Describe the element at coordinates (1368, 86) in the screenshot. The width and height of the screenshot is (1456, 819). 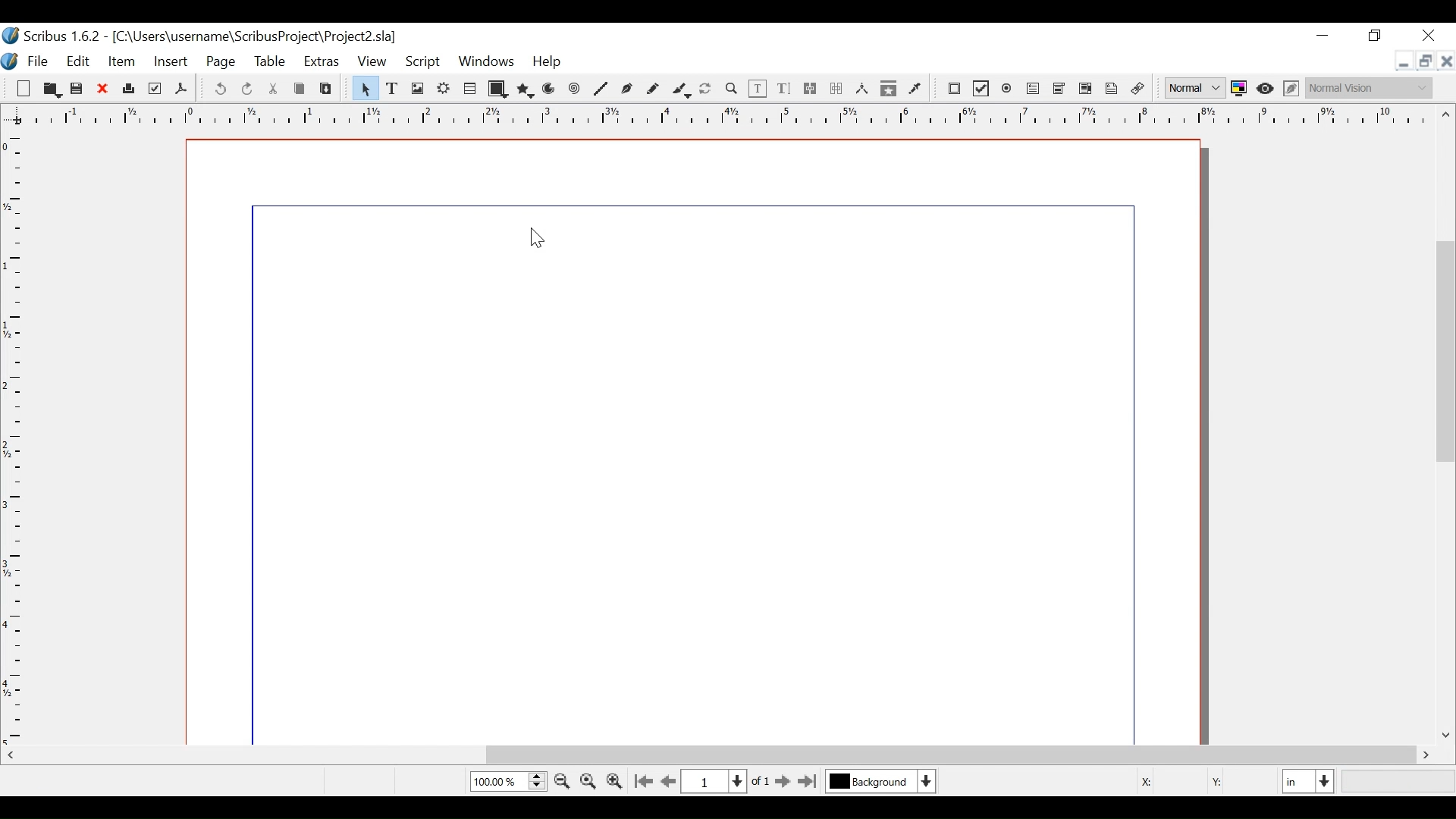
I see `Select the visual appearance of the display` at that location.